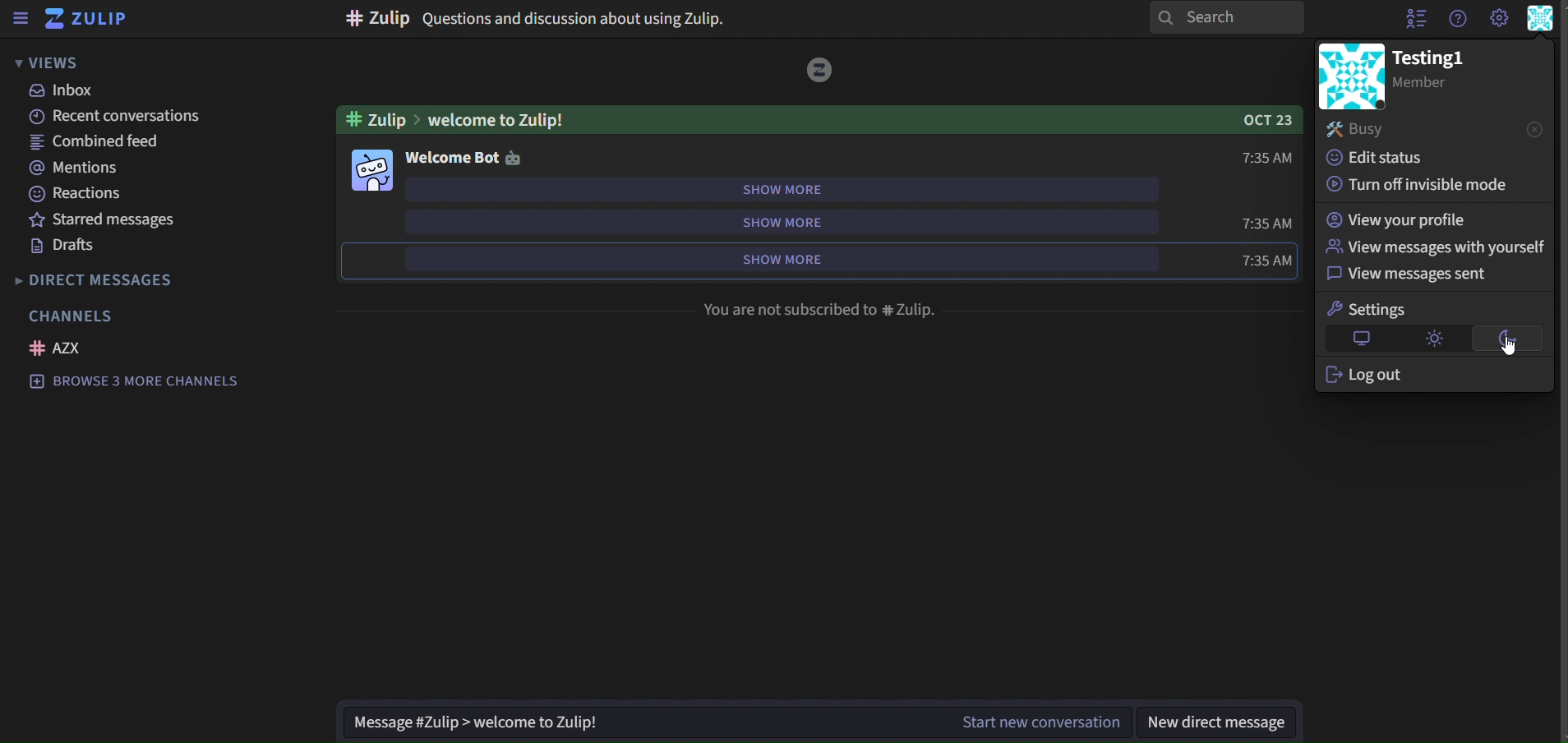  I want to click on dark theme, so click(1509, 340).